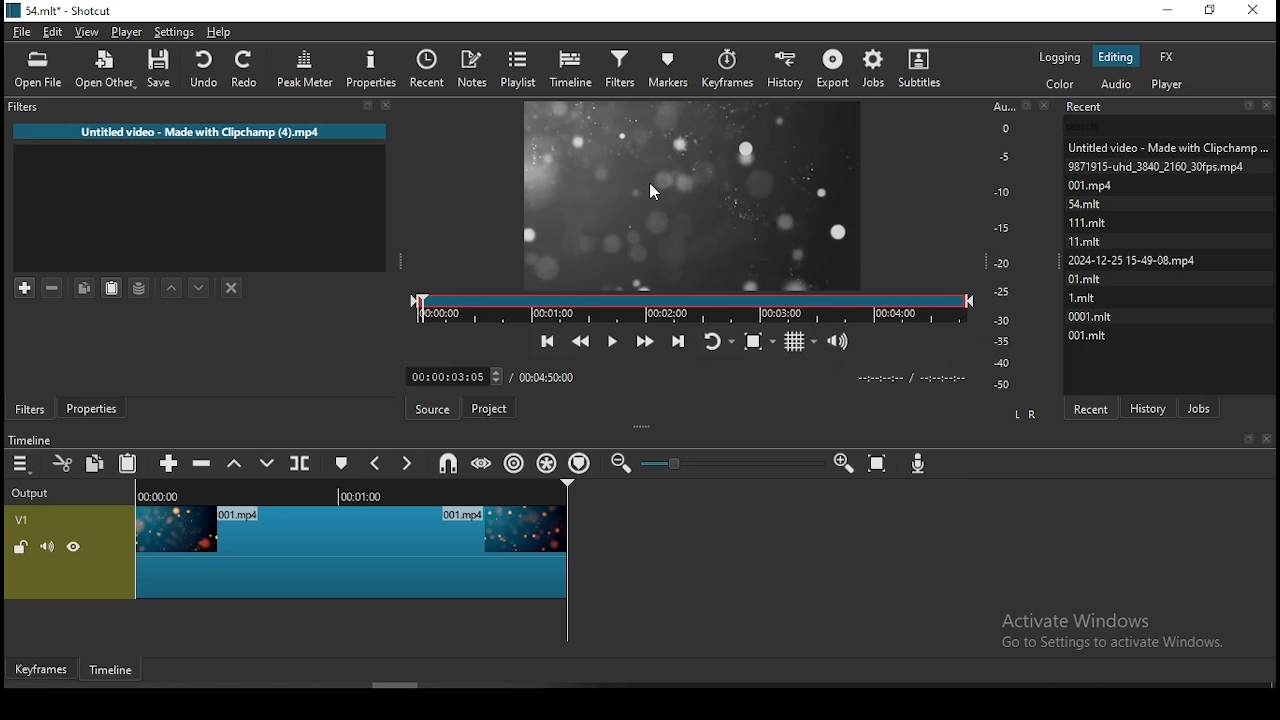 This screenshot has width=1280, height=720. What do you see at coordinates (1094, 406) in the screenshot?
I see `recent` at bounding box center [1094, 406].